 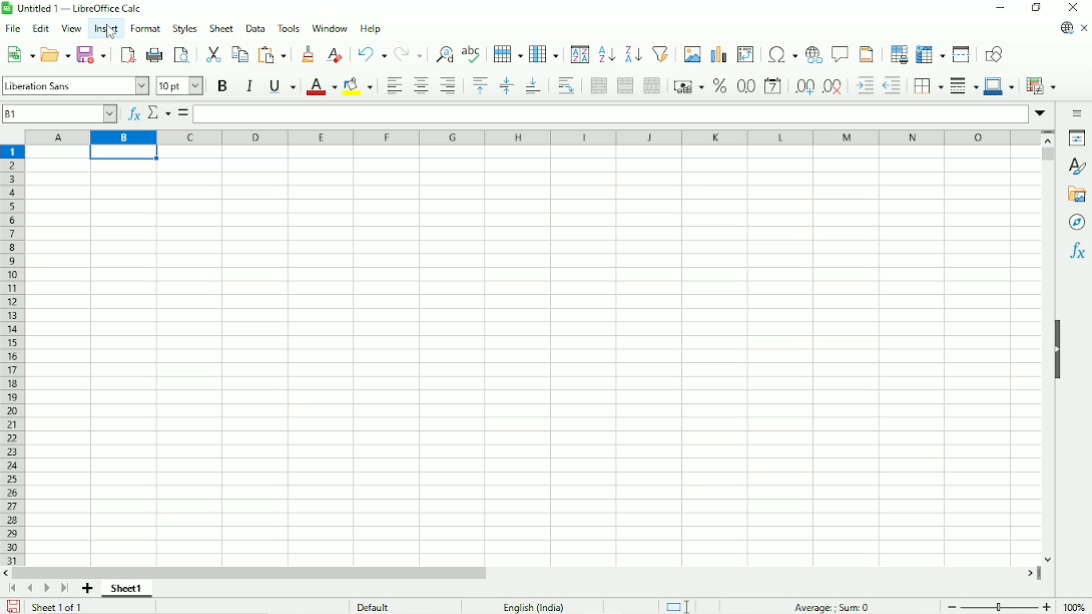 What do you see at coordinates (1038, 9) in the screenshot?
I see `Restore down` at bounding box center [1038, 9].